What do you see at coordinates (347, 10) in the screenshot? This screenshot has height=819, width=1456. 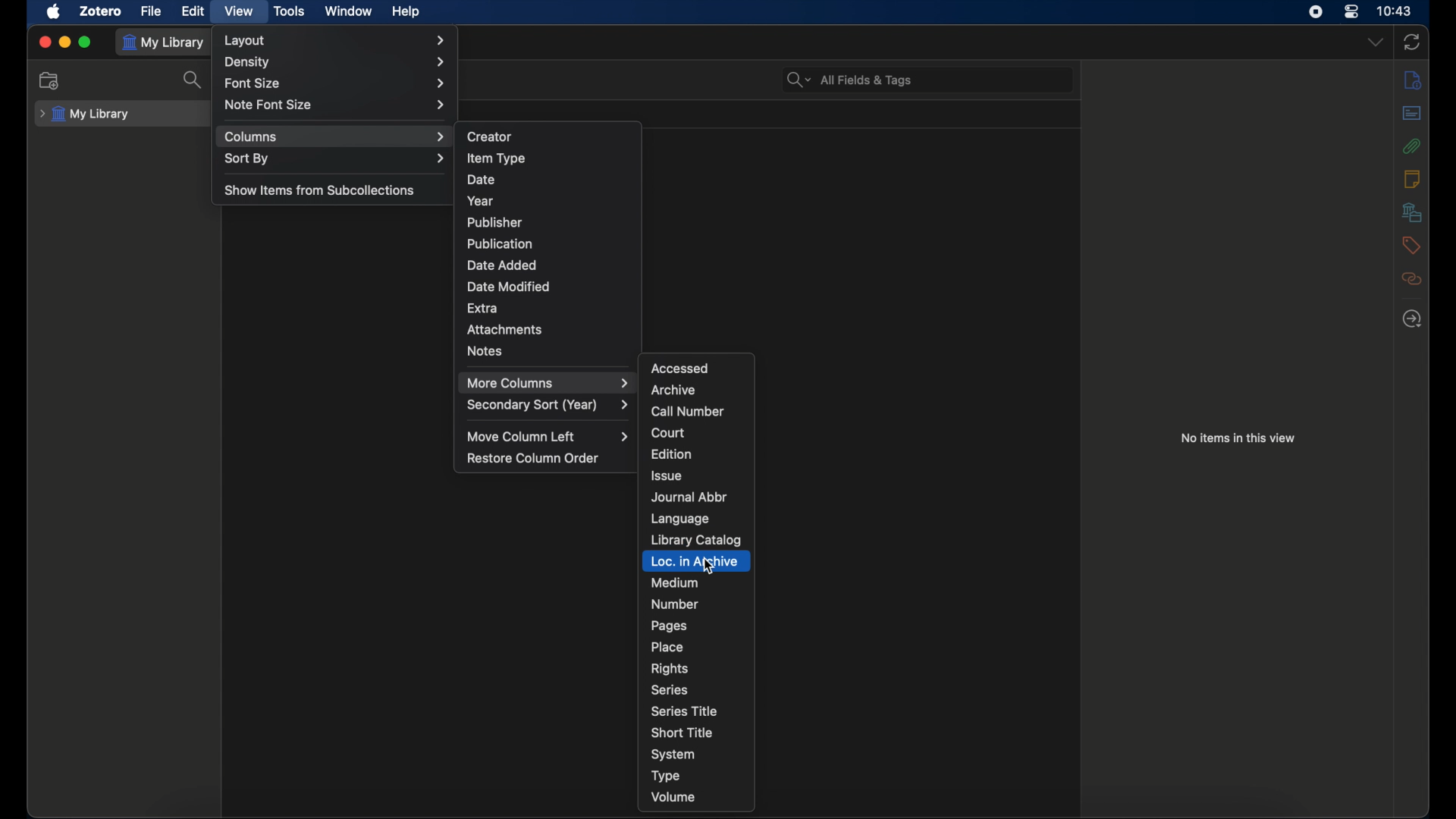 I see `window` at bounding box center [347, 10].